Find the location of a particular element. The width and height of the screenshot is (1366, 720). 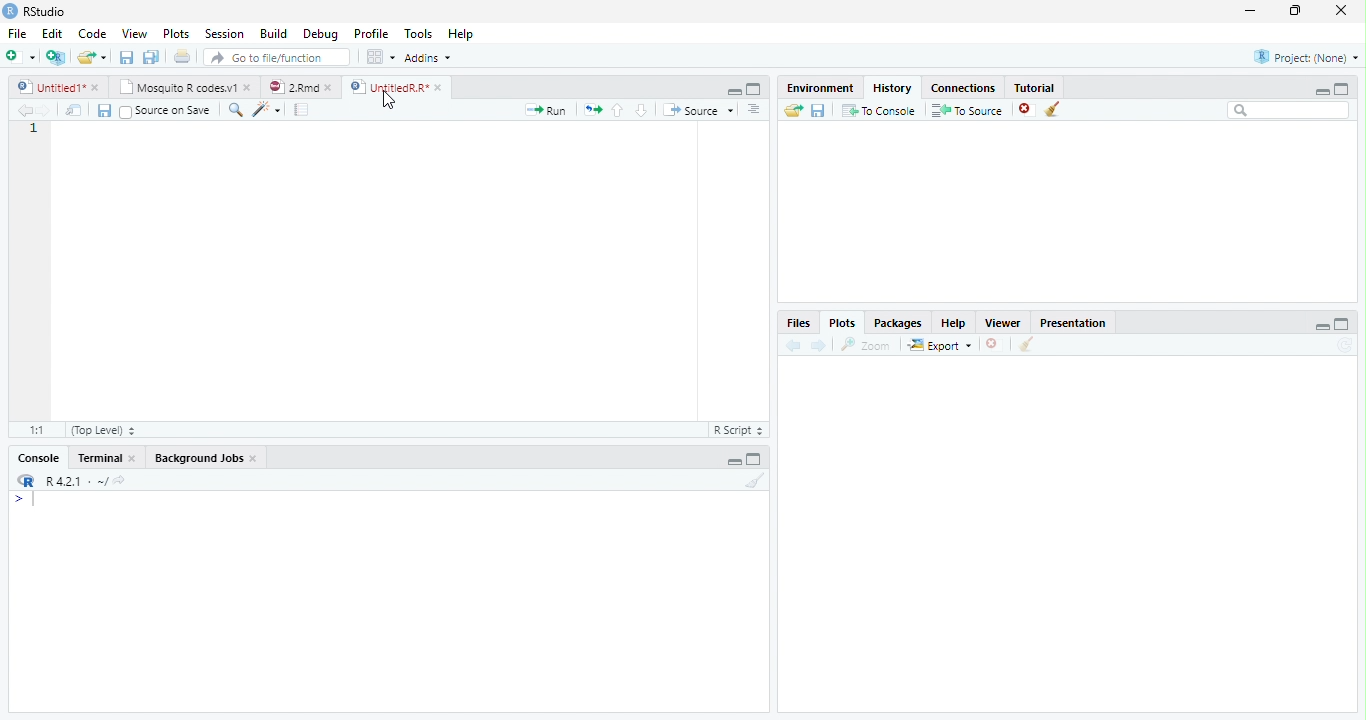

2.Rmd is located at coordinates (303, 88).